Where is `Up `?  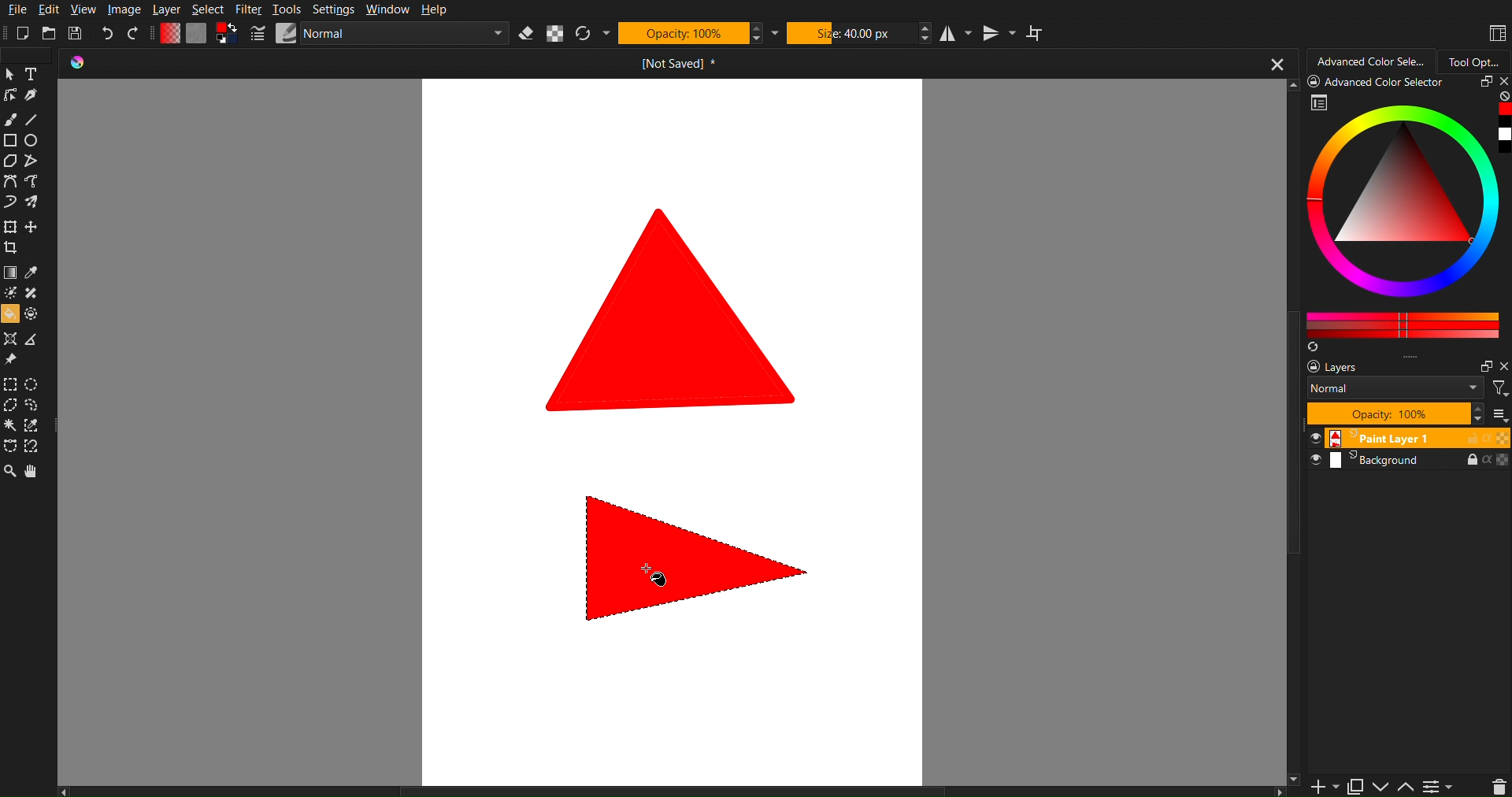
Up  is located at coordinates (1406, 788).